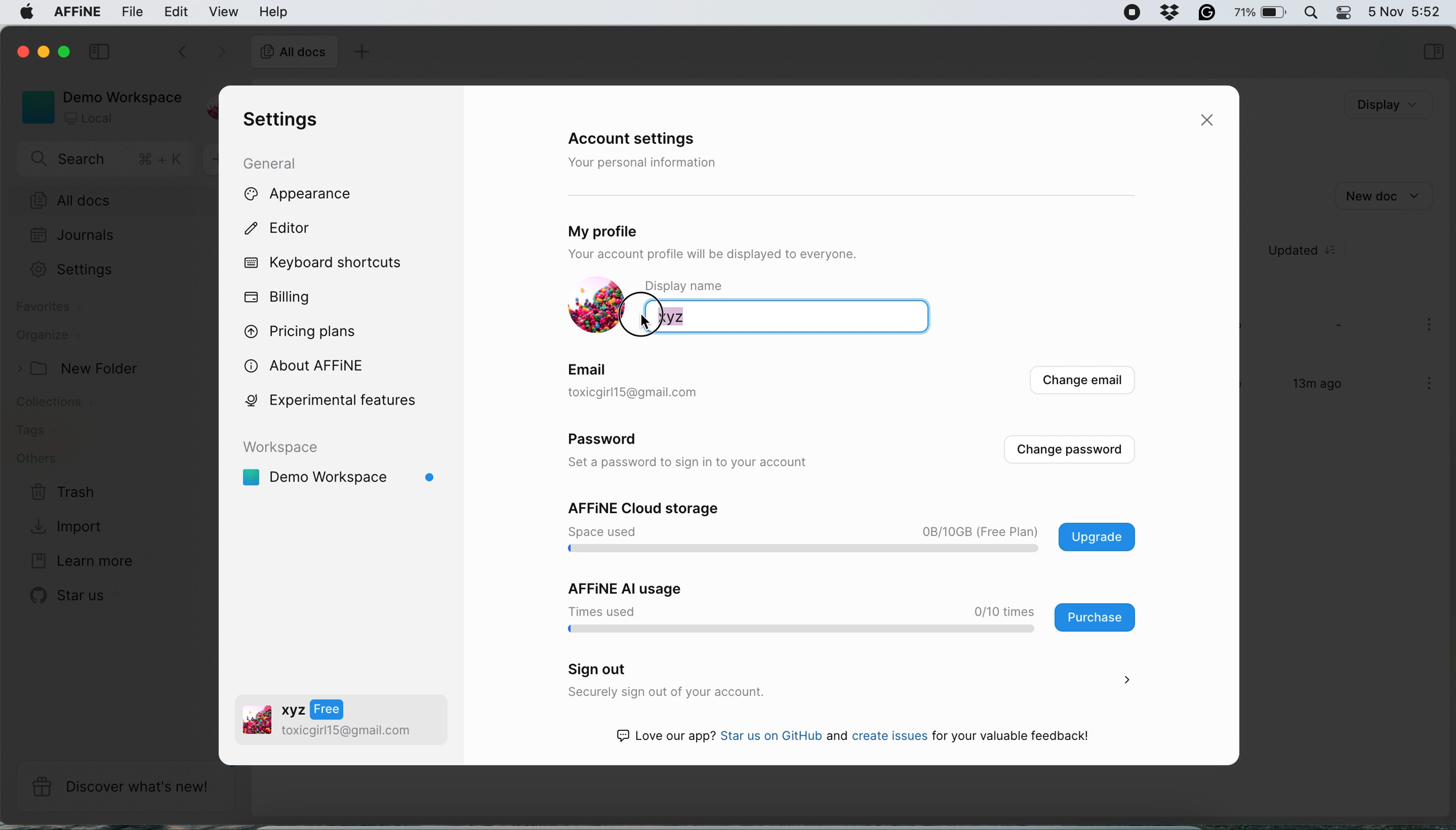  Describe the element at coordinates (1125, 13) in the screenshot. I see `screen recorder` at that location.